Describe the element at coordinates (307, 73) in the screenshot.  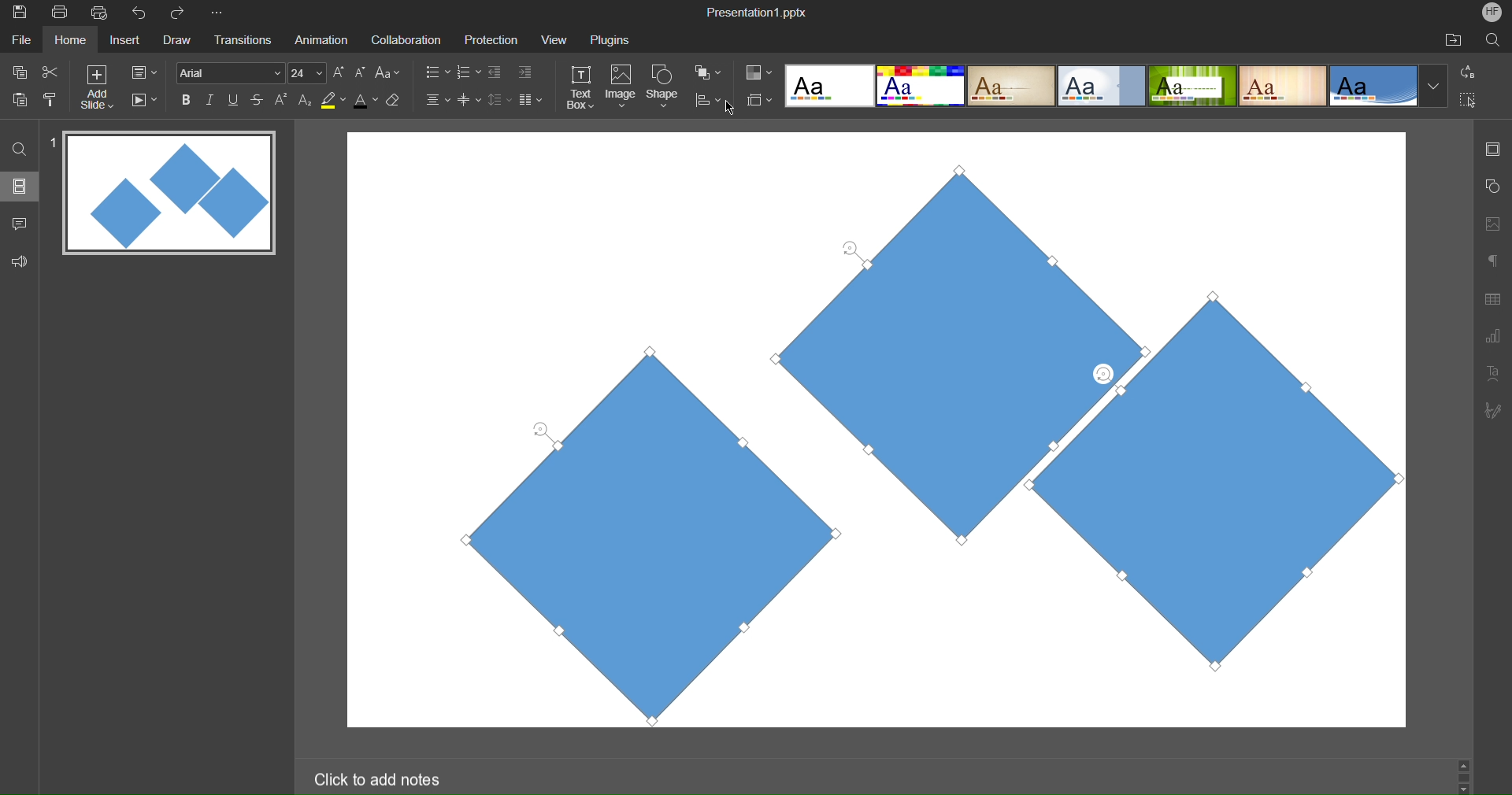
I see `Font Size` at that location.